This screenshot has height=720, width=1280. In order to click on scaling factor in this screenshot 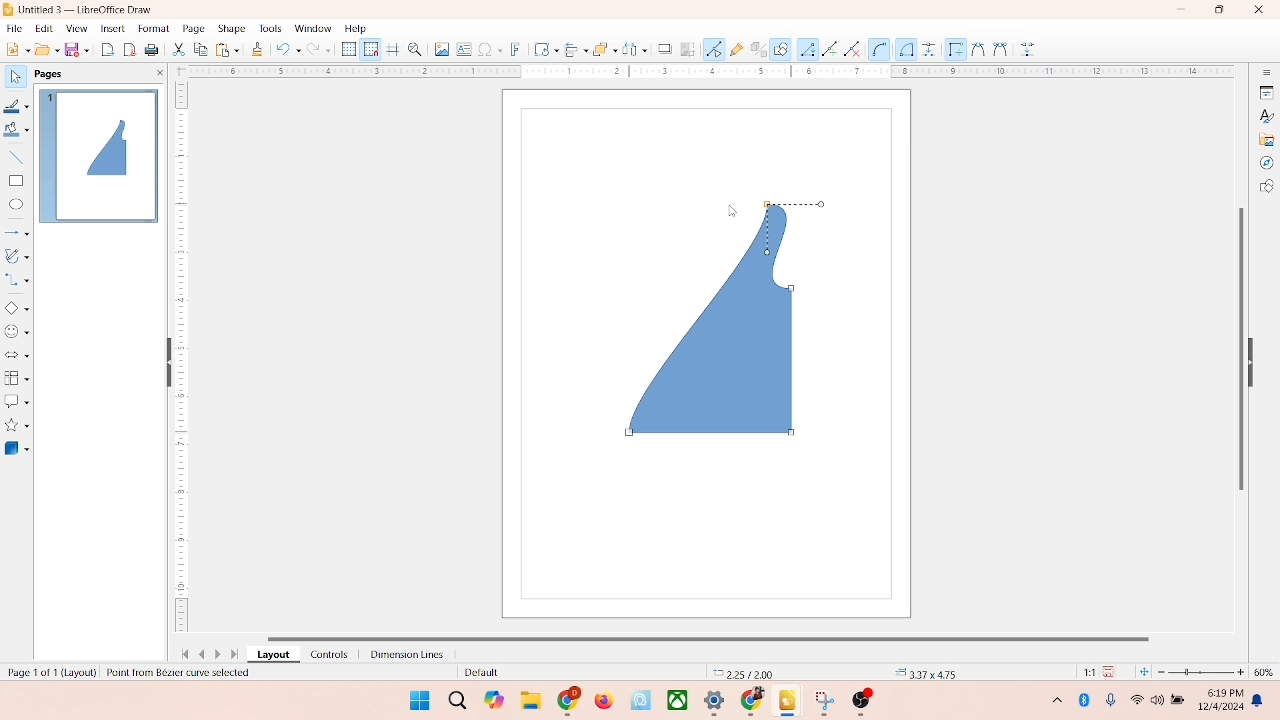, I will do `click(1084, 672)`.